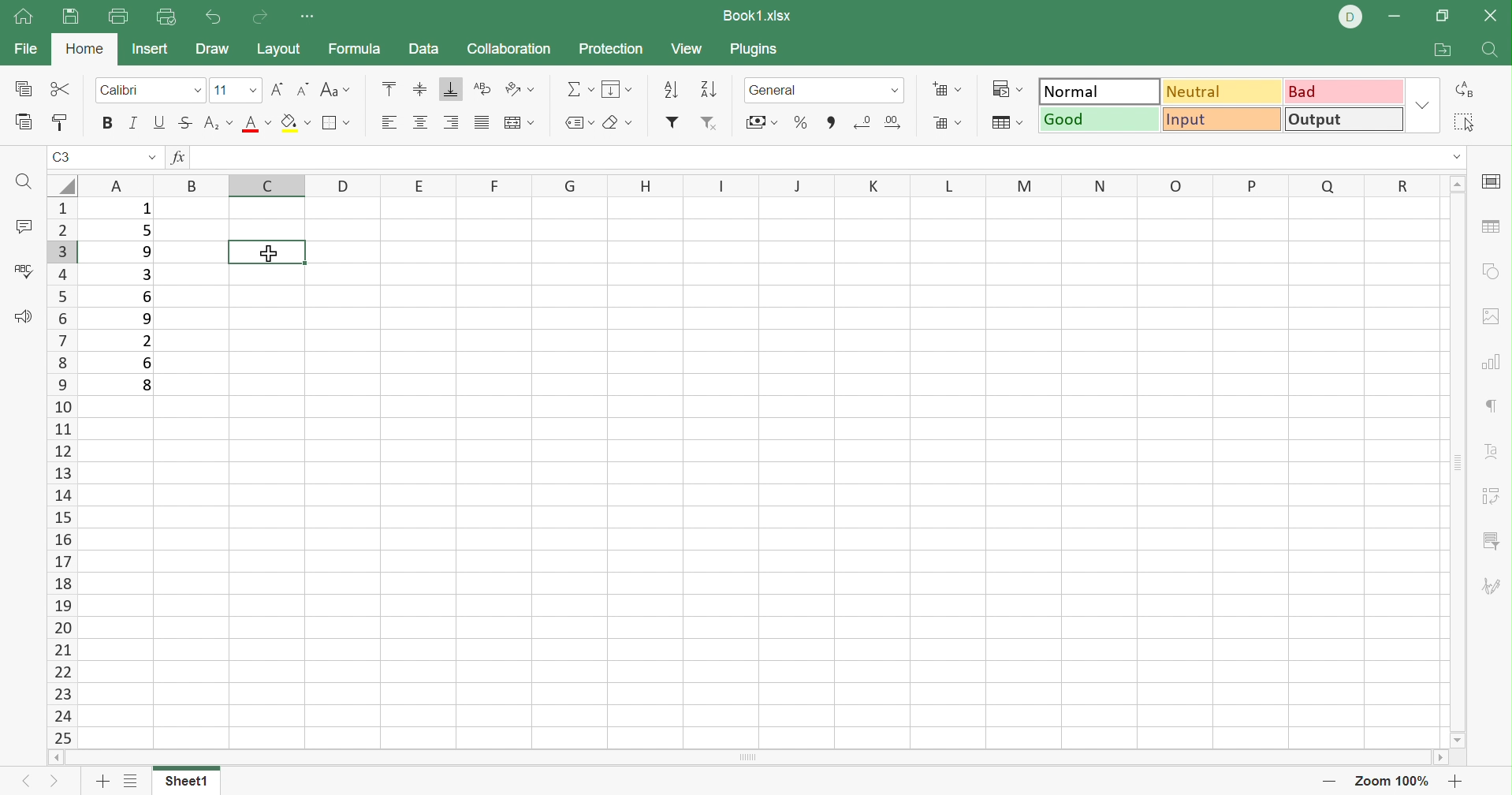 The image size is (1512, 795). What do you see at coordinates (450, 89) in the screenshot?
I see `Align Bottom` at bounding box center [450, 89].